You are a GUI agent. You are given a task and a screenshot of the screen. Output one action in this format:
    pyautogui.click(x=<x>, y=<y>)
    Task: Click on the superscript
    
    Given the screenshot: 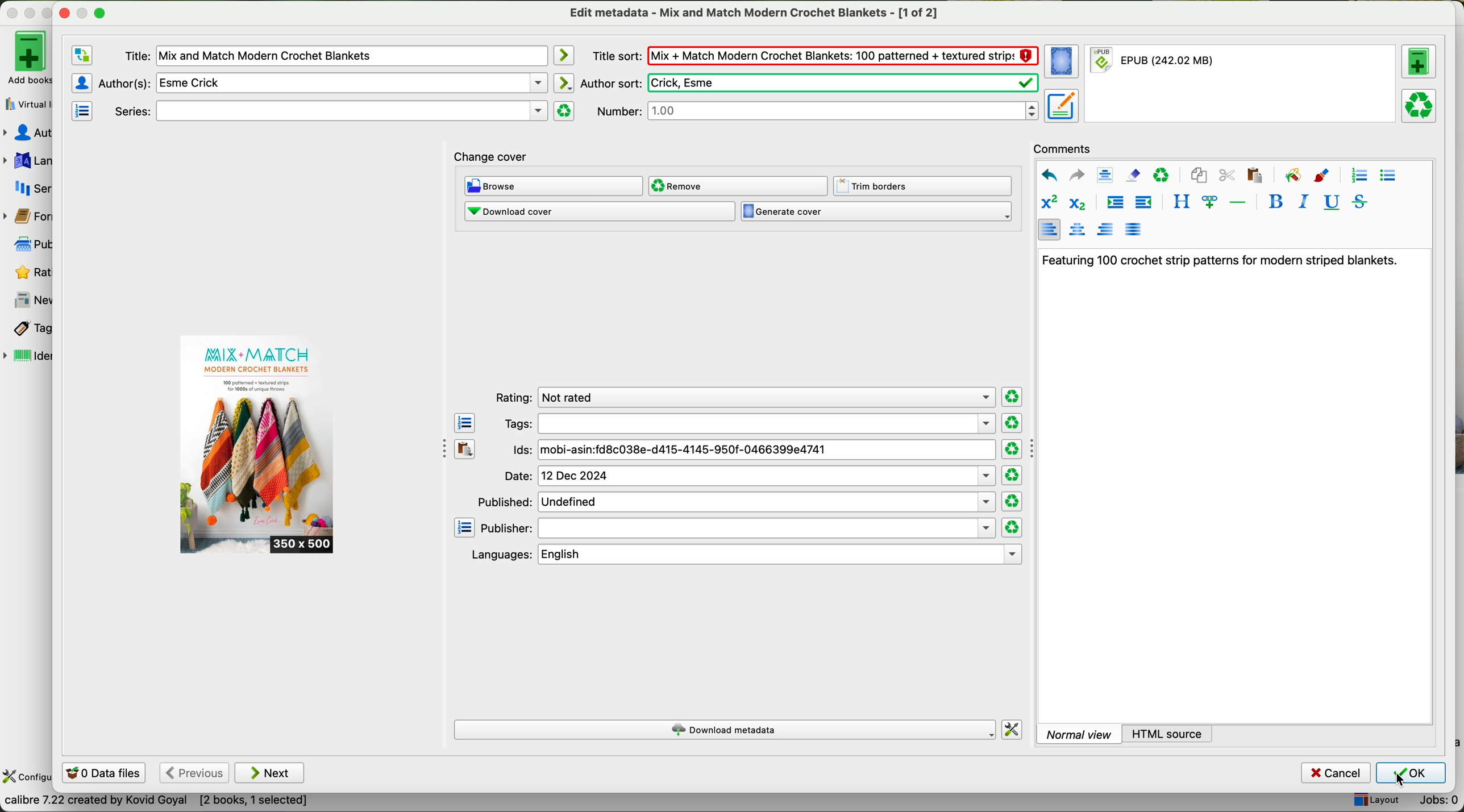 What is the action you would take?
    pyautogui.click(x=1049, y=203)
    